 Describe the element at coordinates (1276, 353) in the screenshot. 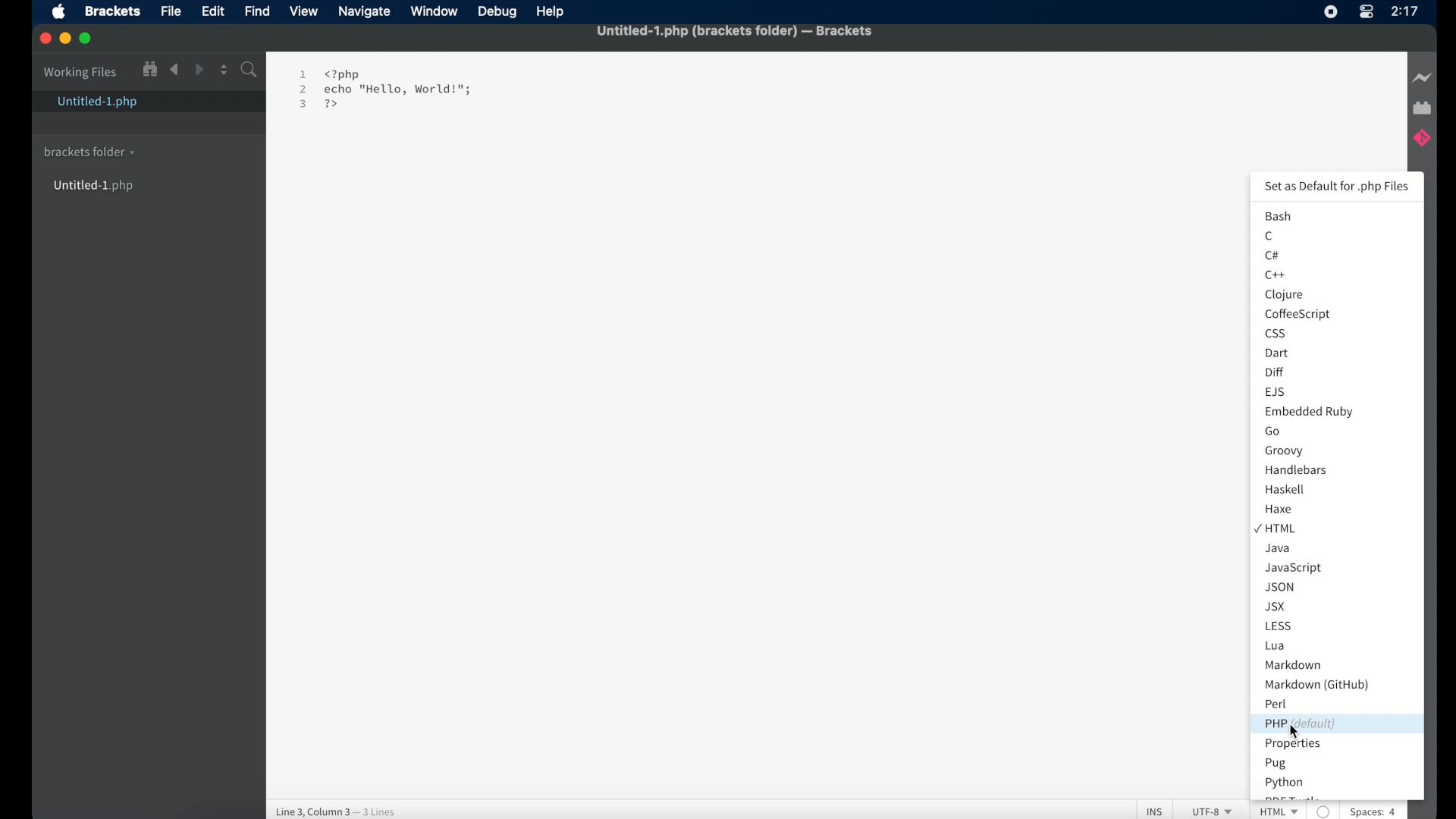

I see `dart` at that location.